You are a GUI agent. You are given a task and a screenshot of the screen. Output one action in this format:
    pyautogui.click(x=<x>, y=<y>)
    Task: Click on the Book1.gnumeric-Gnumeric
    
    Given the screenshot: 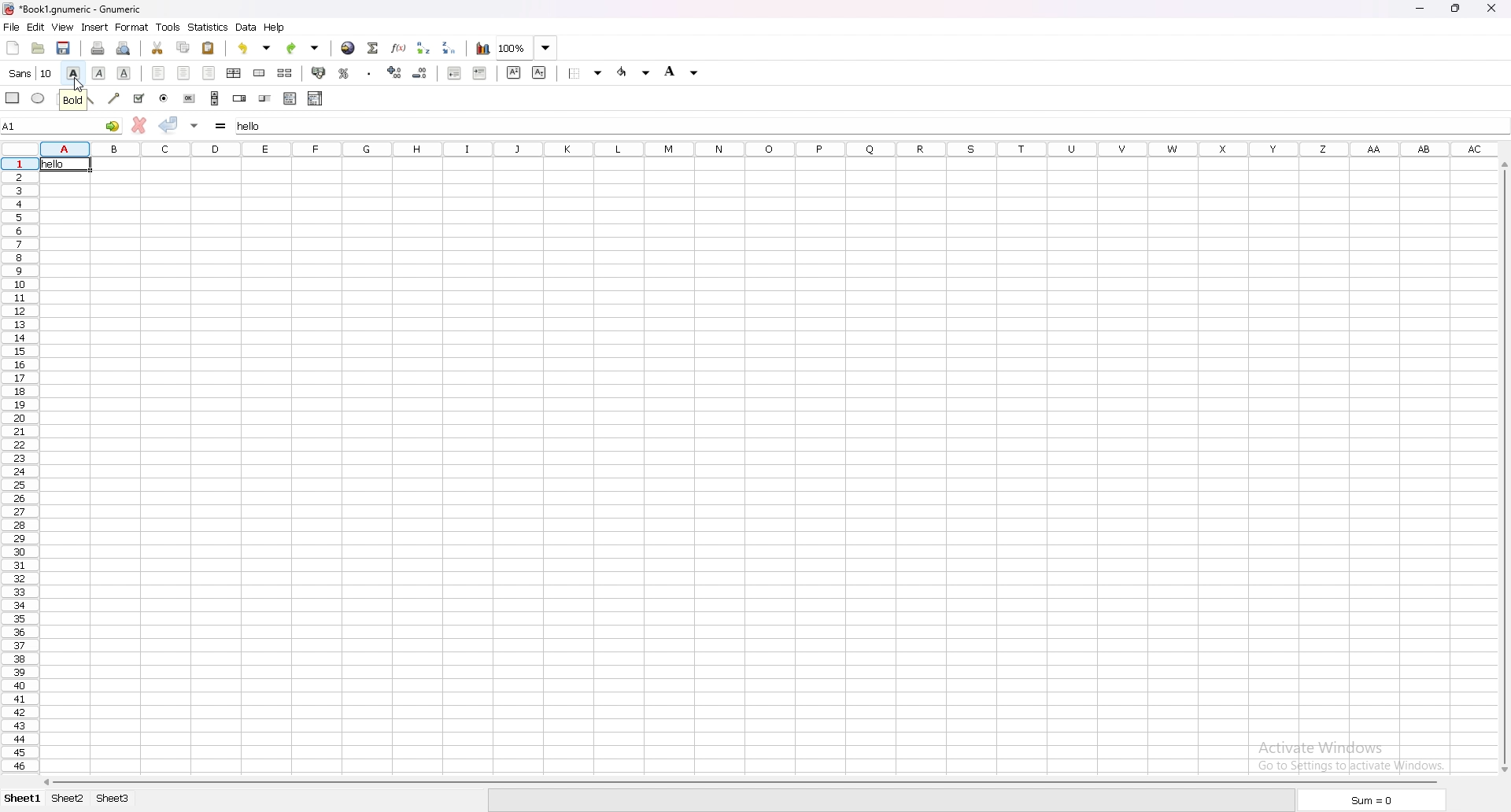 What is the action you would take?
    pyautogui.click(x=76, y=9)
    